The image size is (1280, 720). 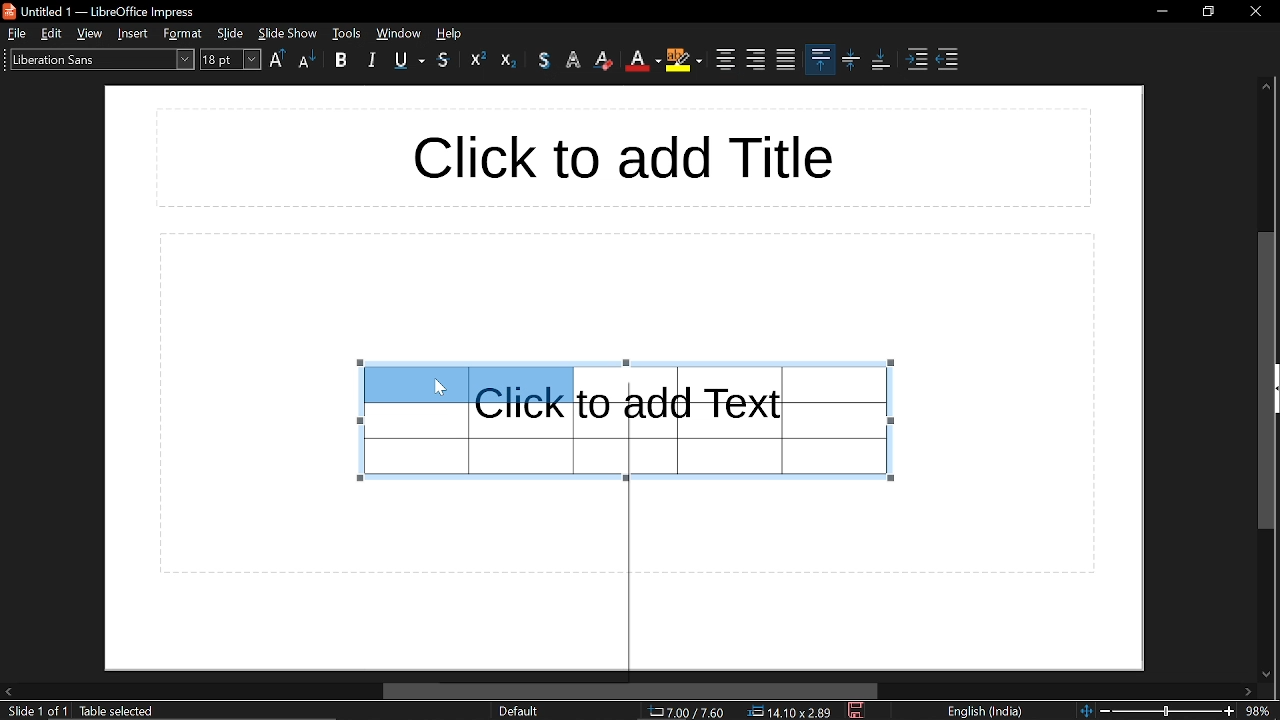 What do you see at coordinates (576, 61) in the screenshot?
I see `apply outline` at bounding box center [576, 61].